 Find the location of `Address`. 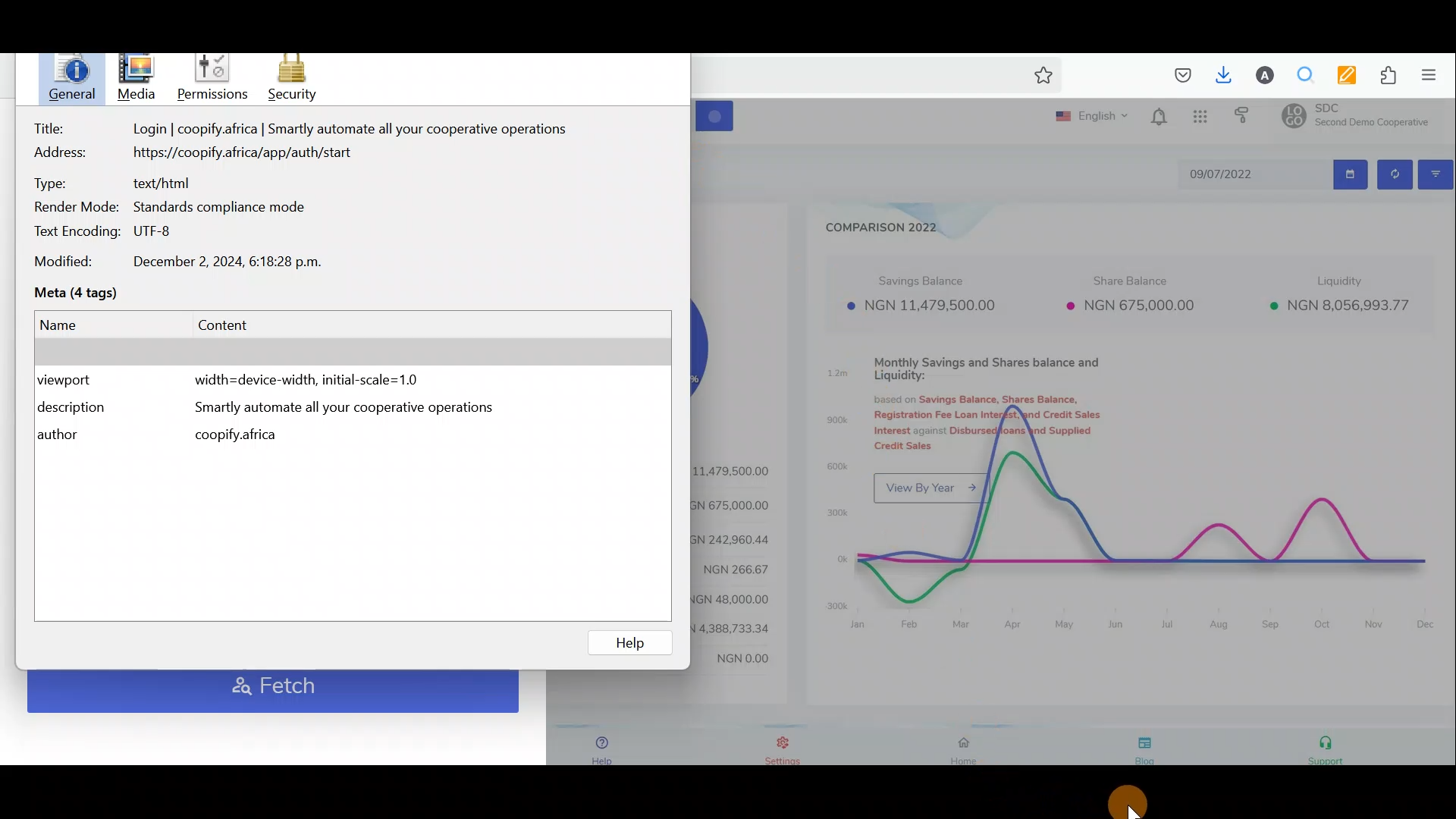

Address is located at coordinates (229, 159).